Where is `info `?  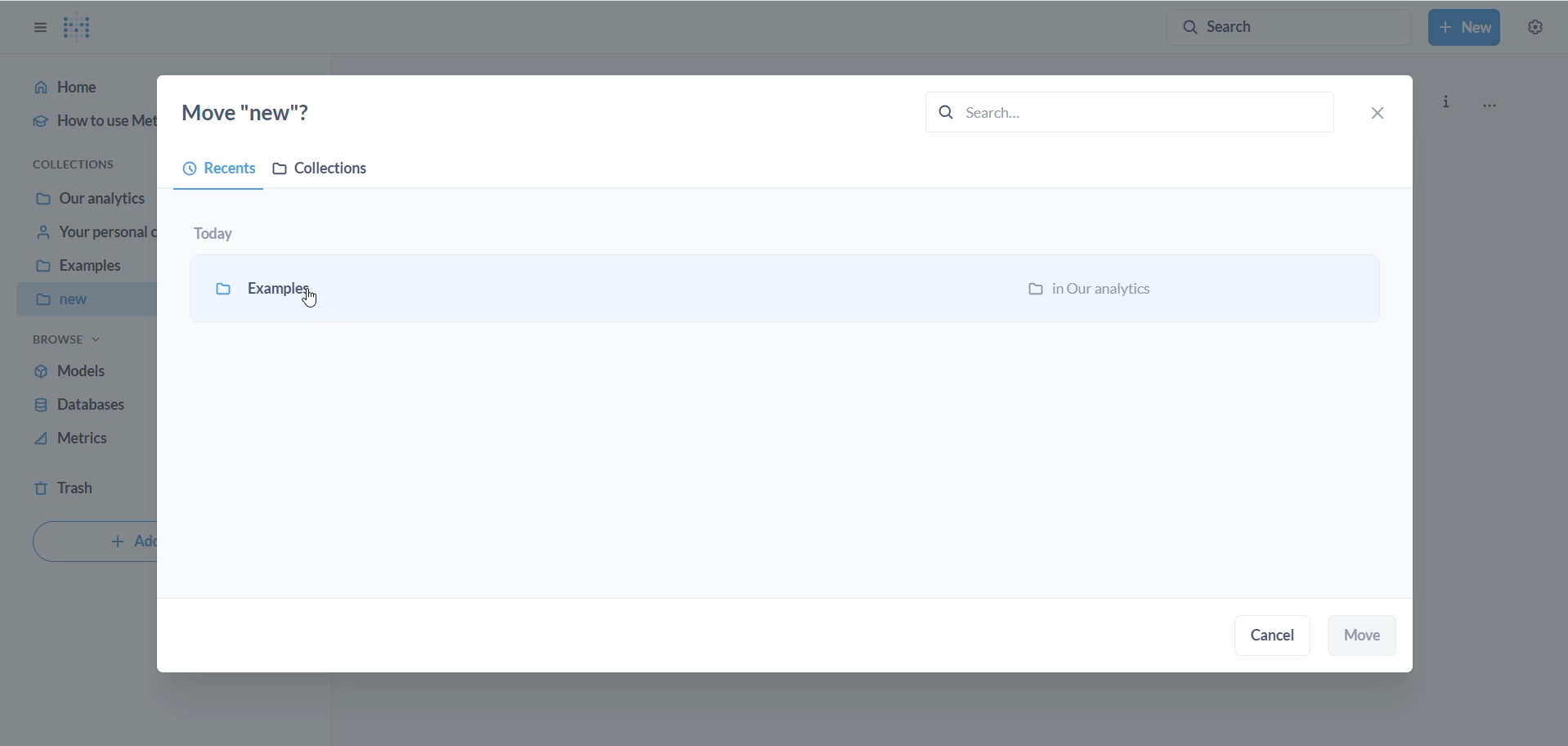
info  is located at coordinates (1449, 100).